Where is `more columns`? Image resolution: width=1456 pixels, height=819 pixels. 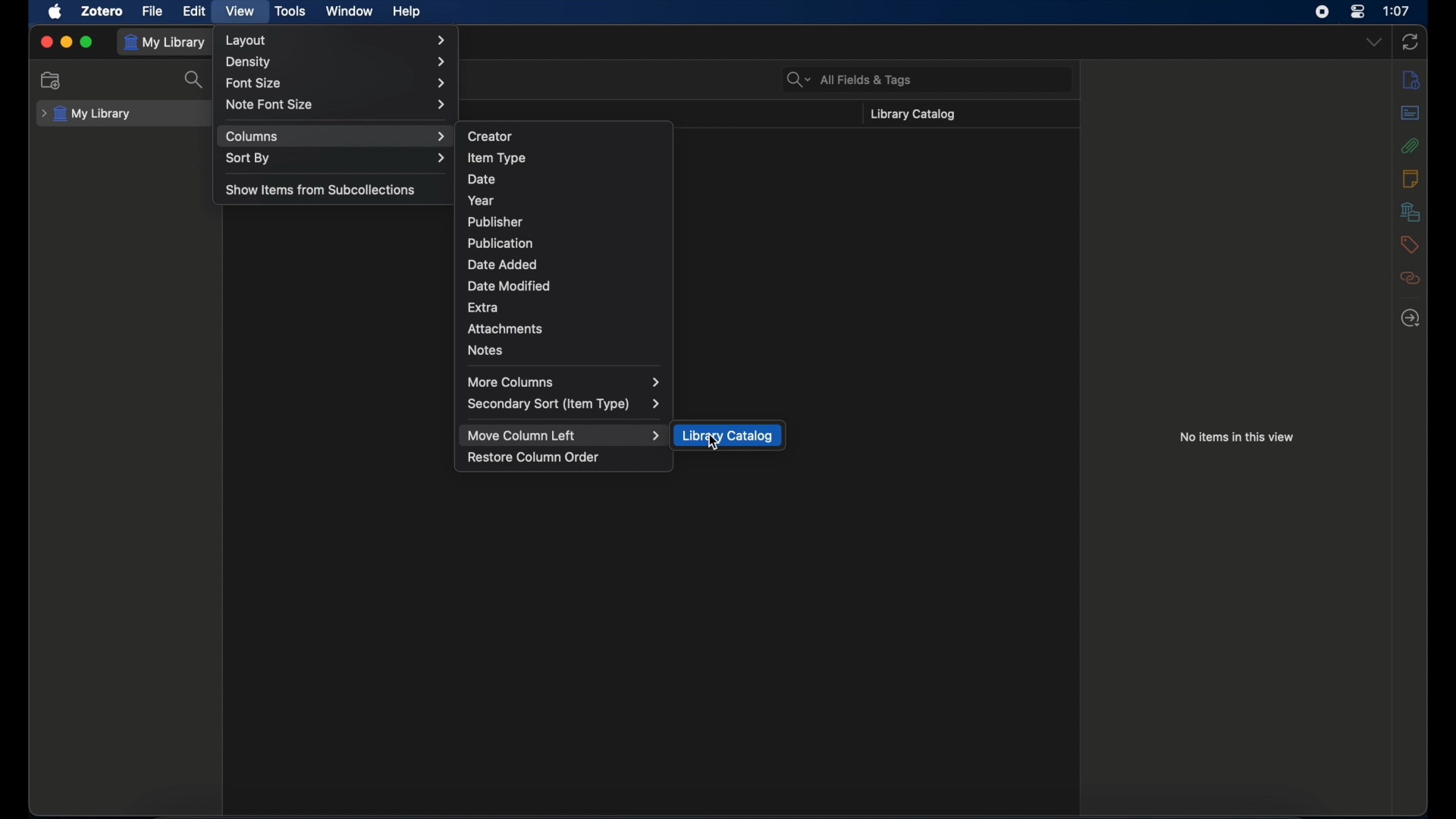 more columns is located at coordinates (564, 383).